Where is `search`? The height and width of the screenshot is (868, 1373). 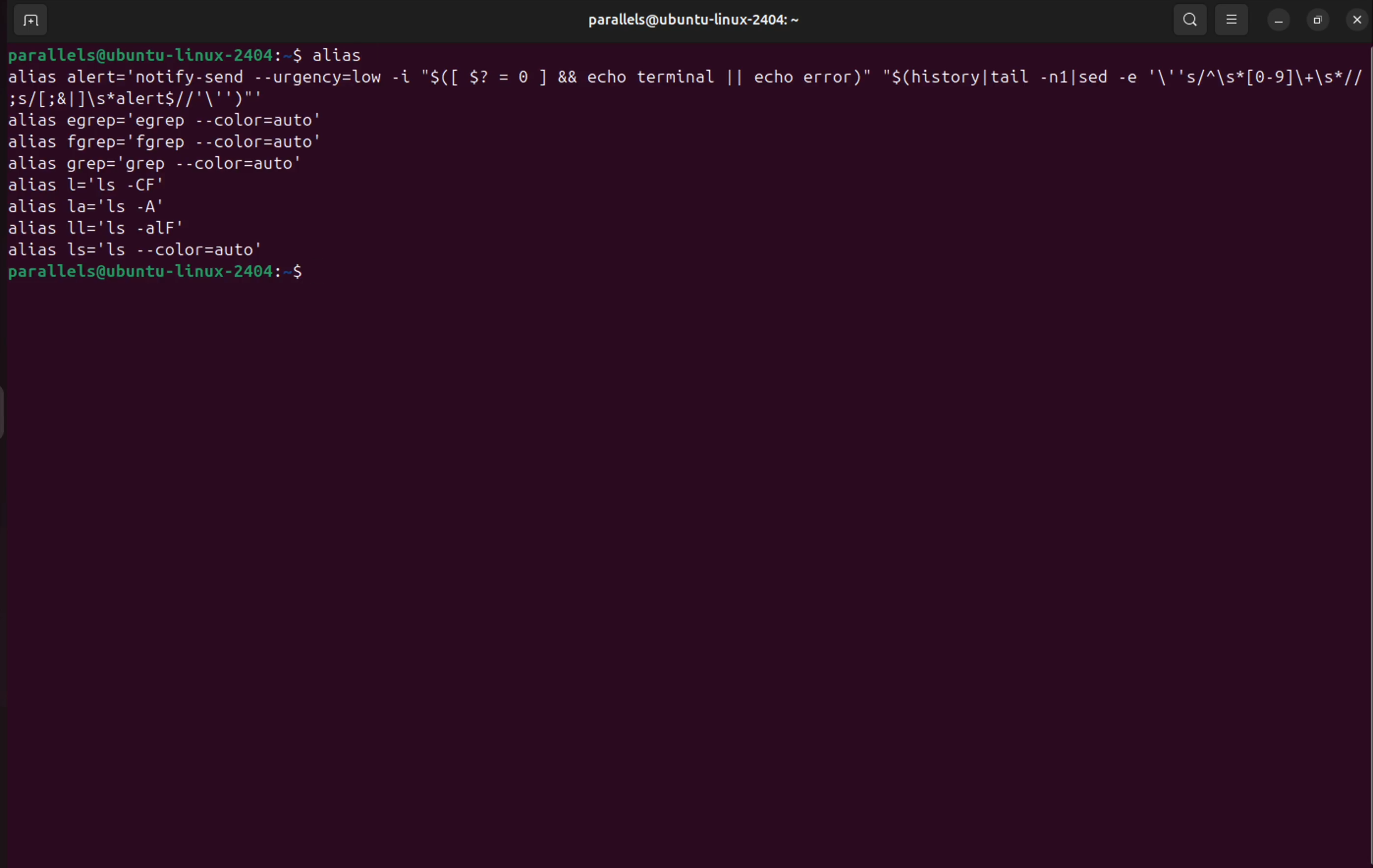 search is located at coordinates (1189, 19).